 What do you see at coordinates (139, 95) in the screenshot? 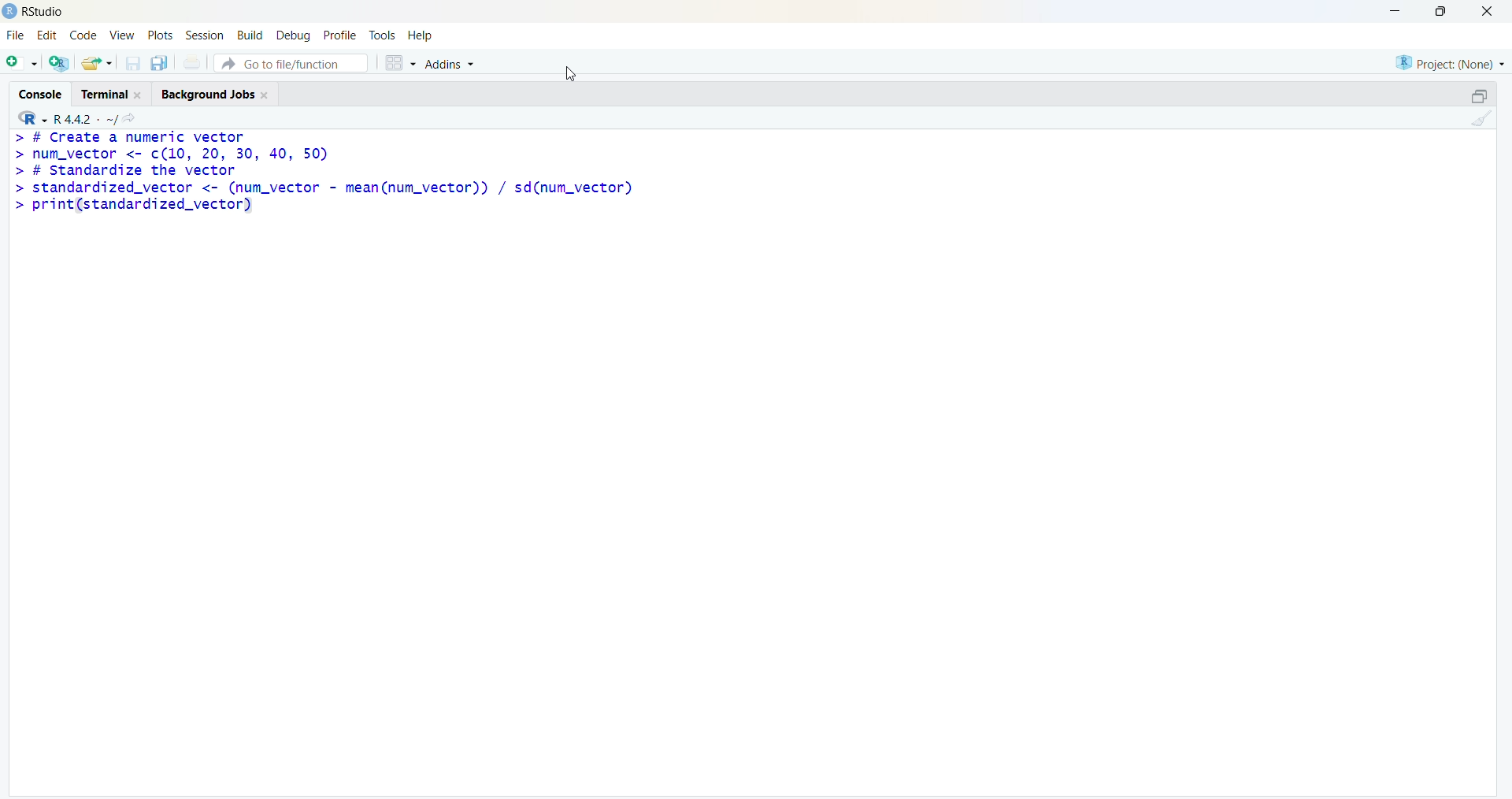
I see `close` at bounding box center [139, 95].